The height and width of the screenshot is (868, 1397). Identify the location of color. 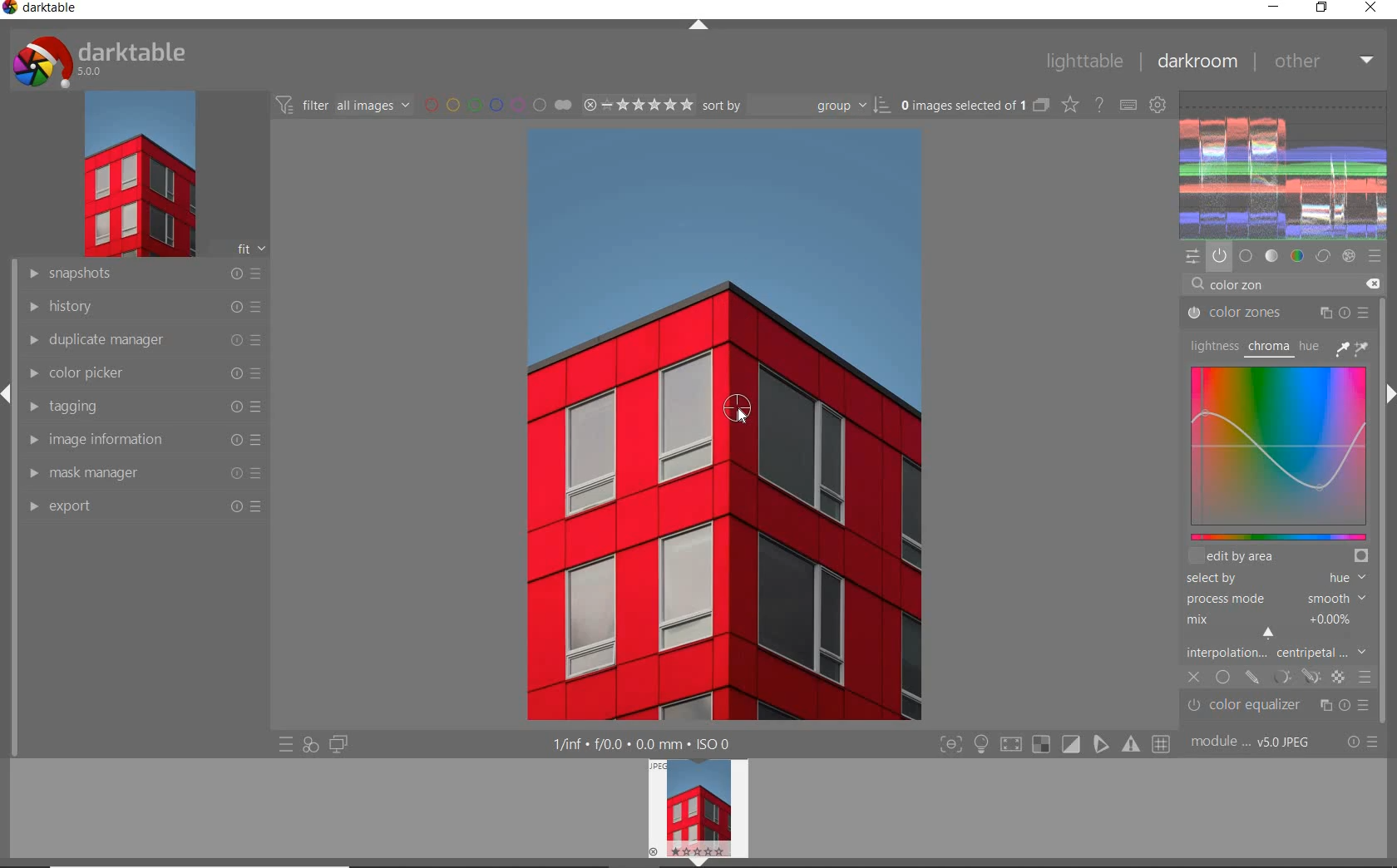
(1296, 256).